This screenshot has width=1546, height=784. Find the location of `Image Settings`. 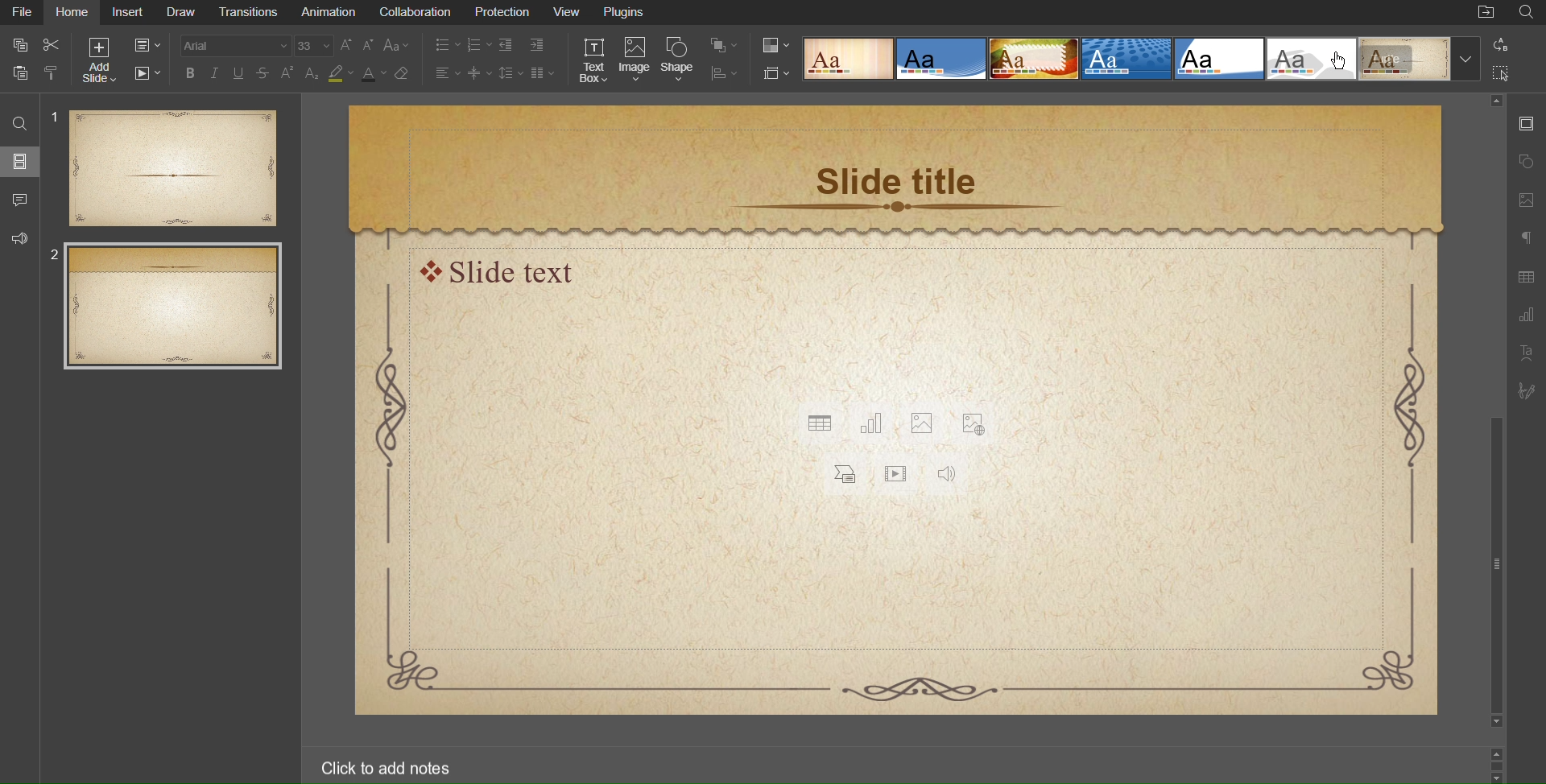

Image Settings is located at coordinates (1526, 201).